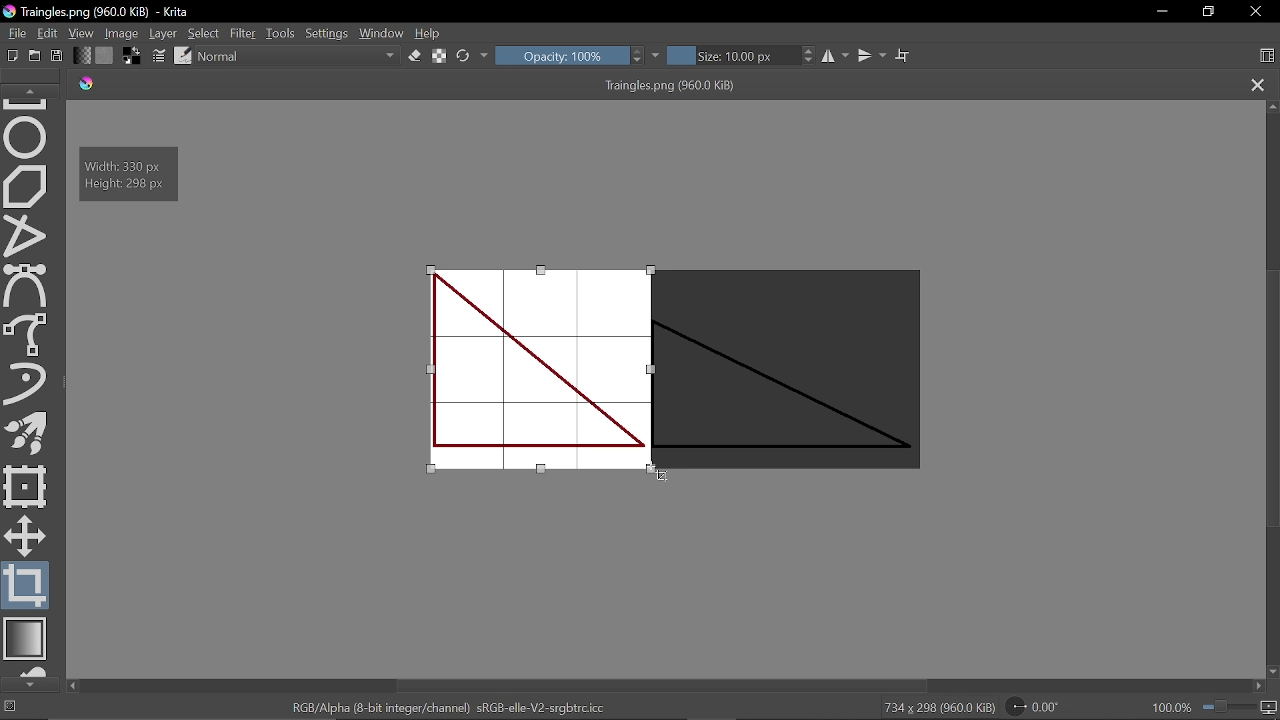 This screenshot has width=1280, height=720. Describe the element at coordinates (82, 33) in the screenshot. I see `View` at that location.